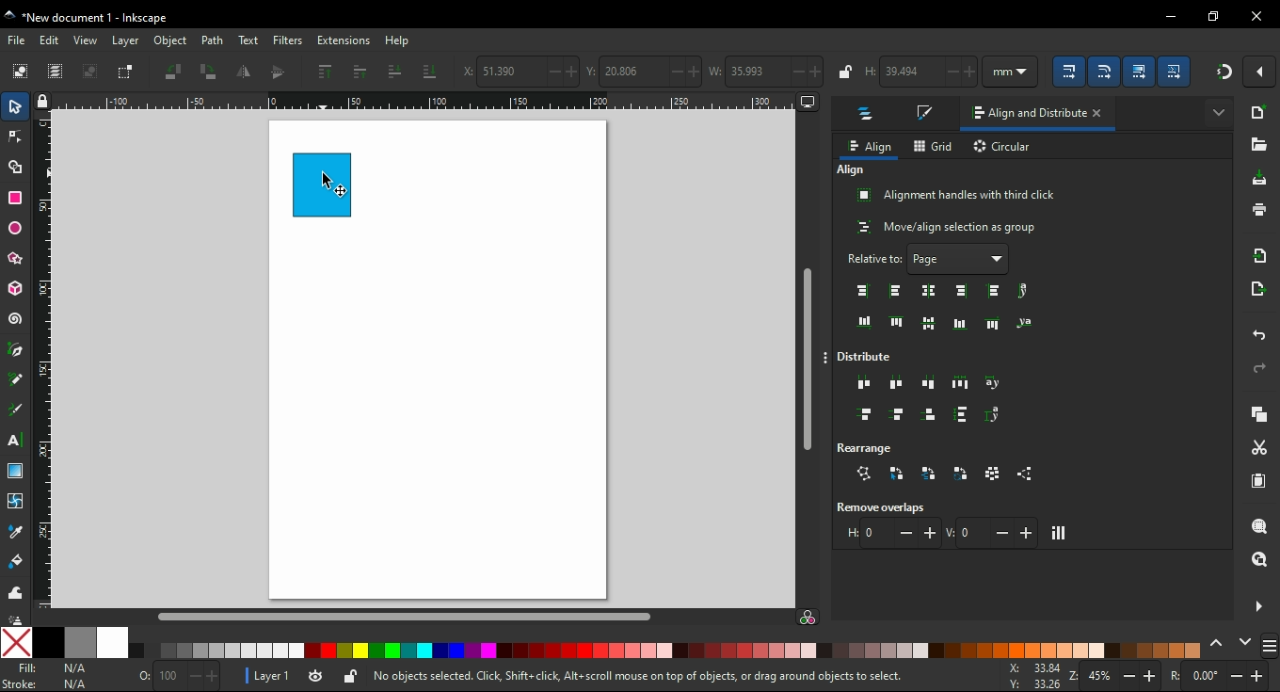 This screenshot has width=1280, height=692. What do you see at coordinates (897, 383) in the screenshot?
I see `distribute horizontally with even spacing between centers` at bounding box center [897, 383].